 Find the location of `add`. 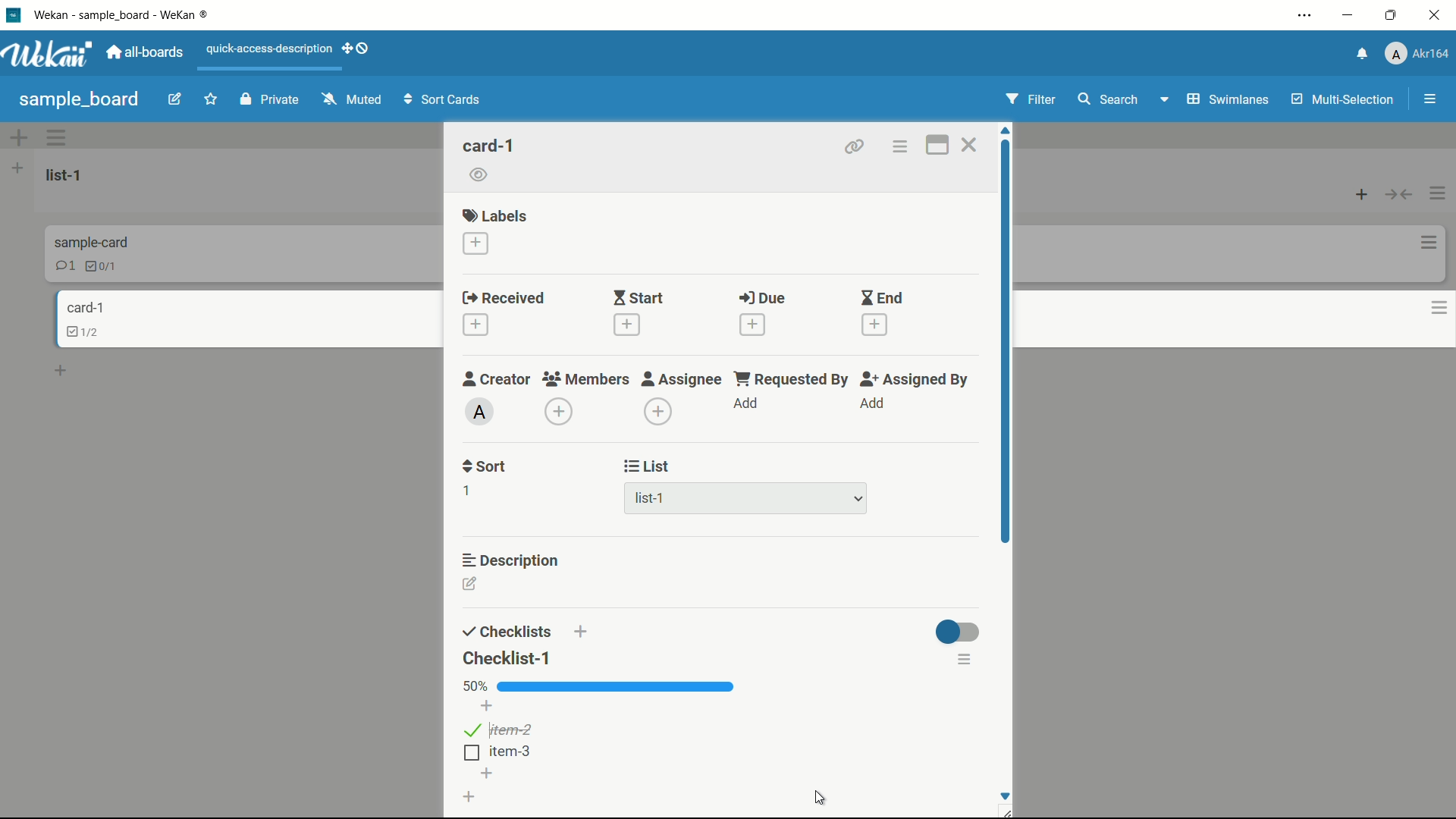

add is located at coordinates (488, 775).